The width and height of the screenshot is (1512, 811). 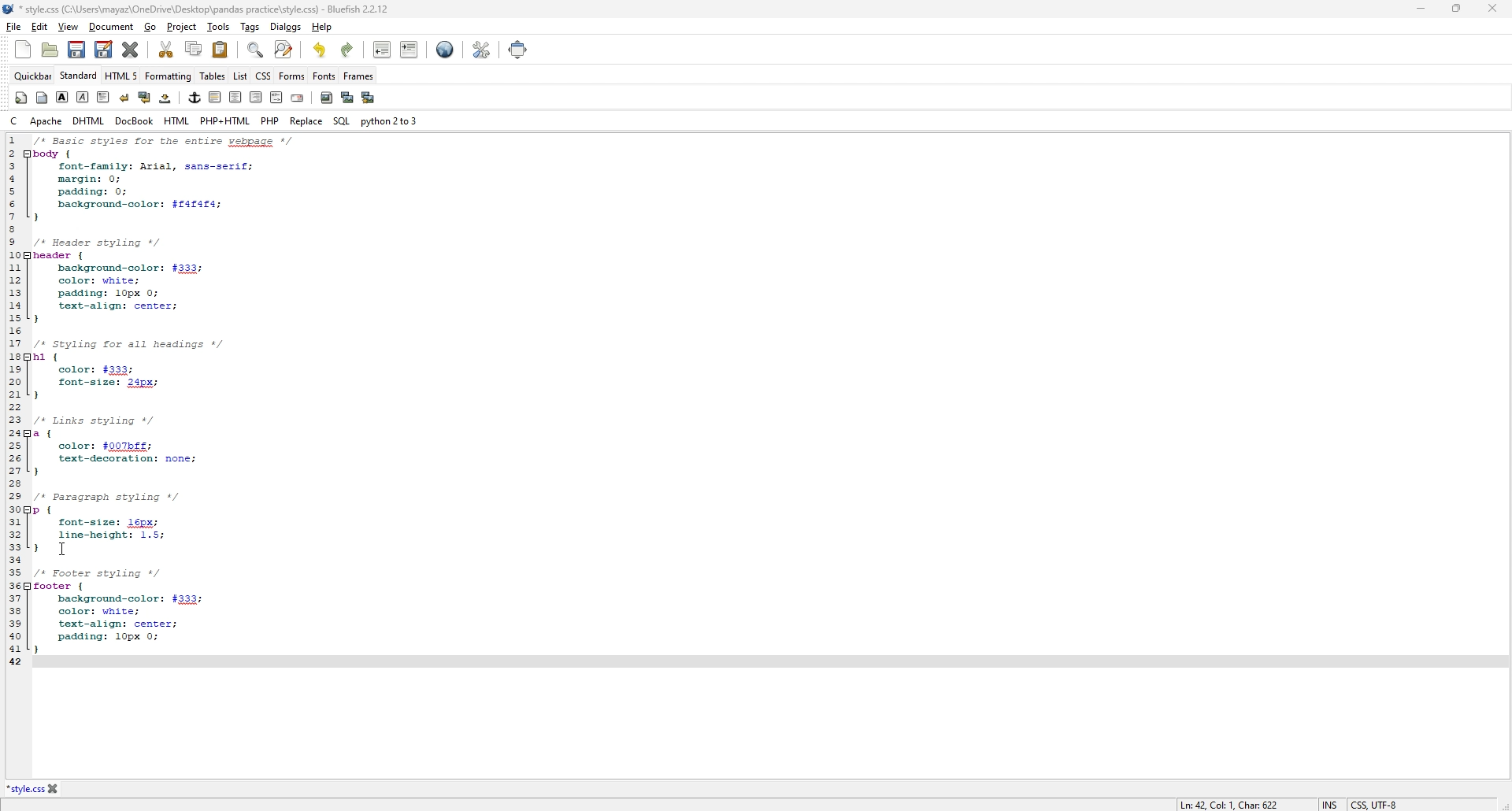 What do you see at coordinates (104, 97) in the screenshot?
I see `paragraph` at bounding box center [104, 97].